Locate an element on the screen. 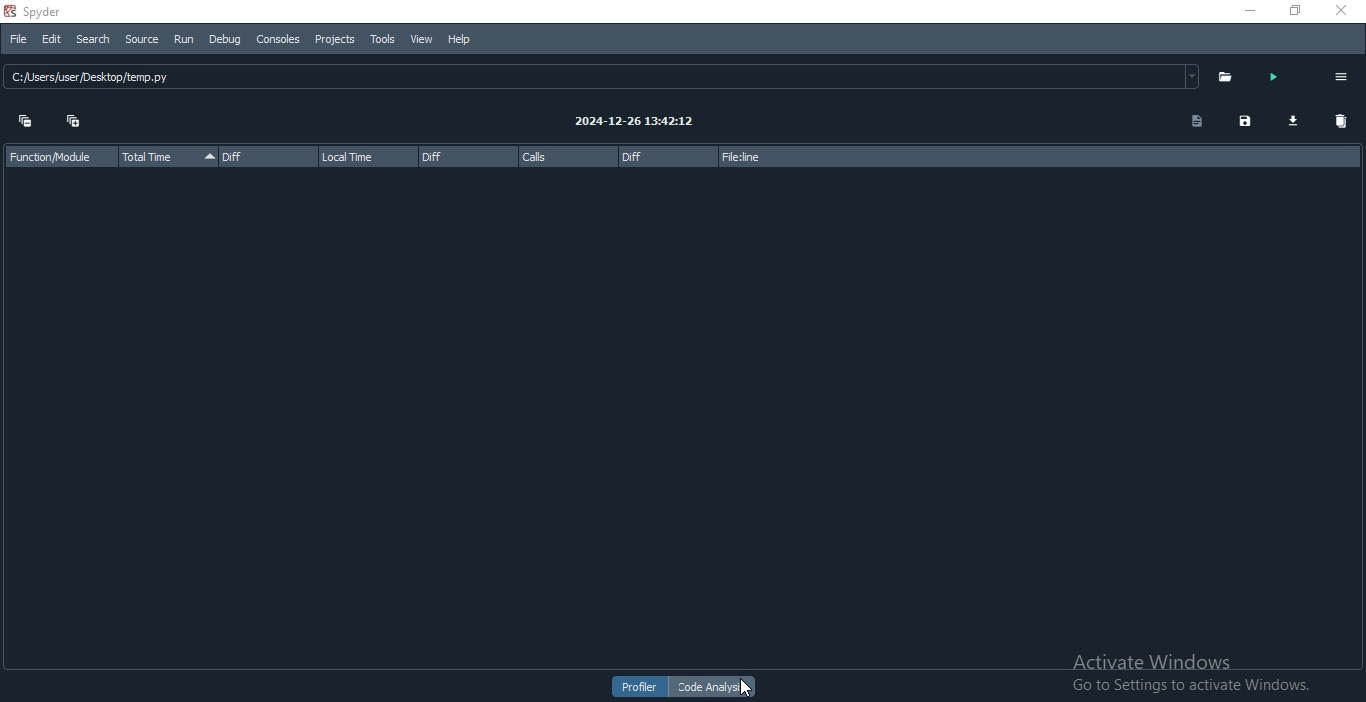 The width and height of the screenshot is (1366, 702). View is located at coordinates (422, 40).